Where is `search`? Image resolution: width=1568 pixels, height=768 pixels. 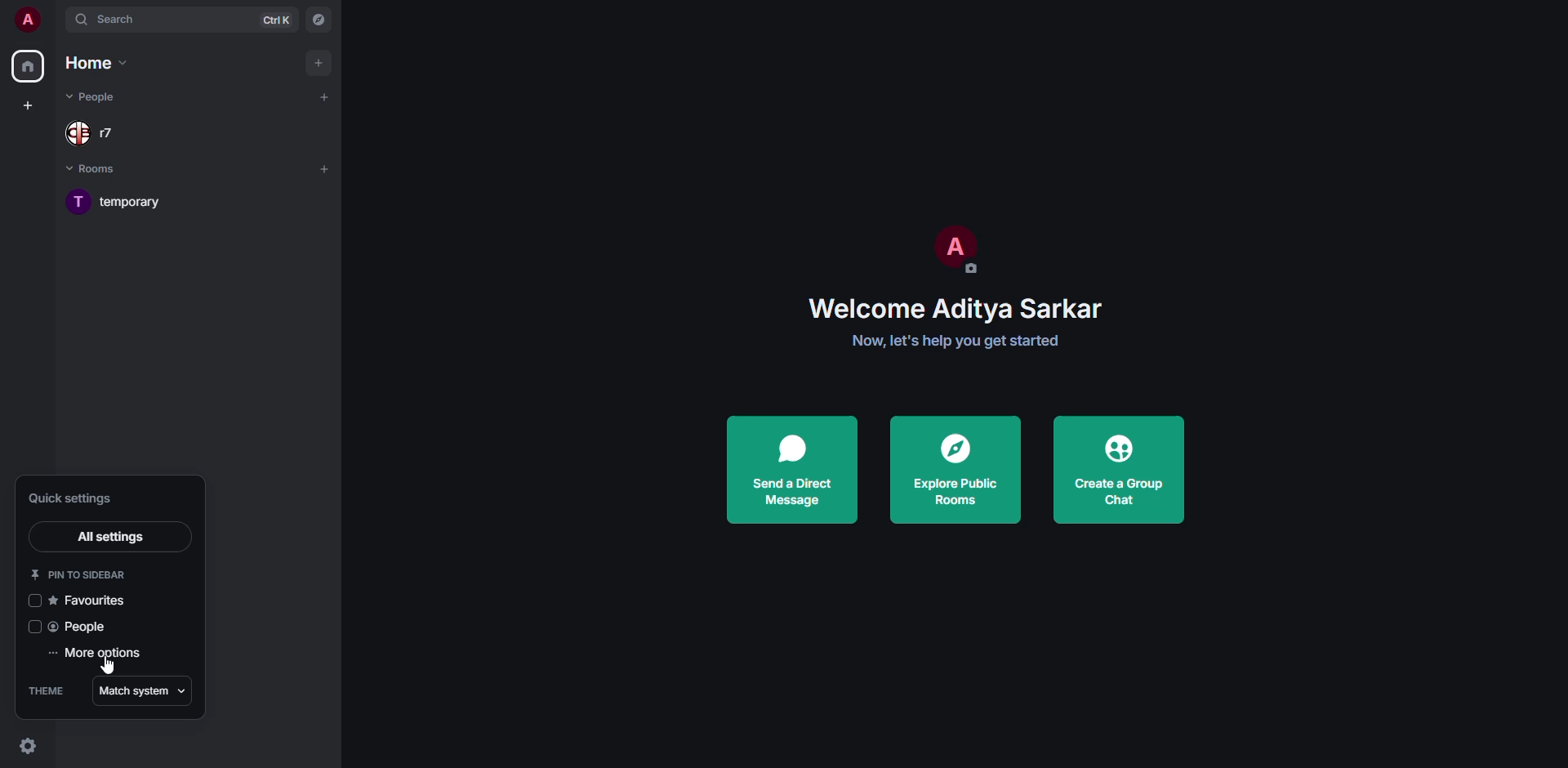
search is located at coordinates (109, 18).